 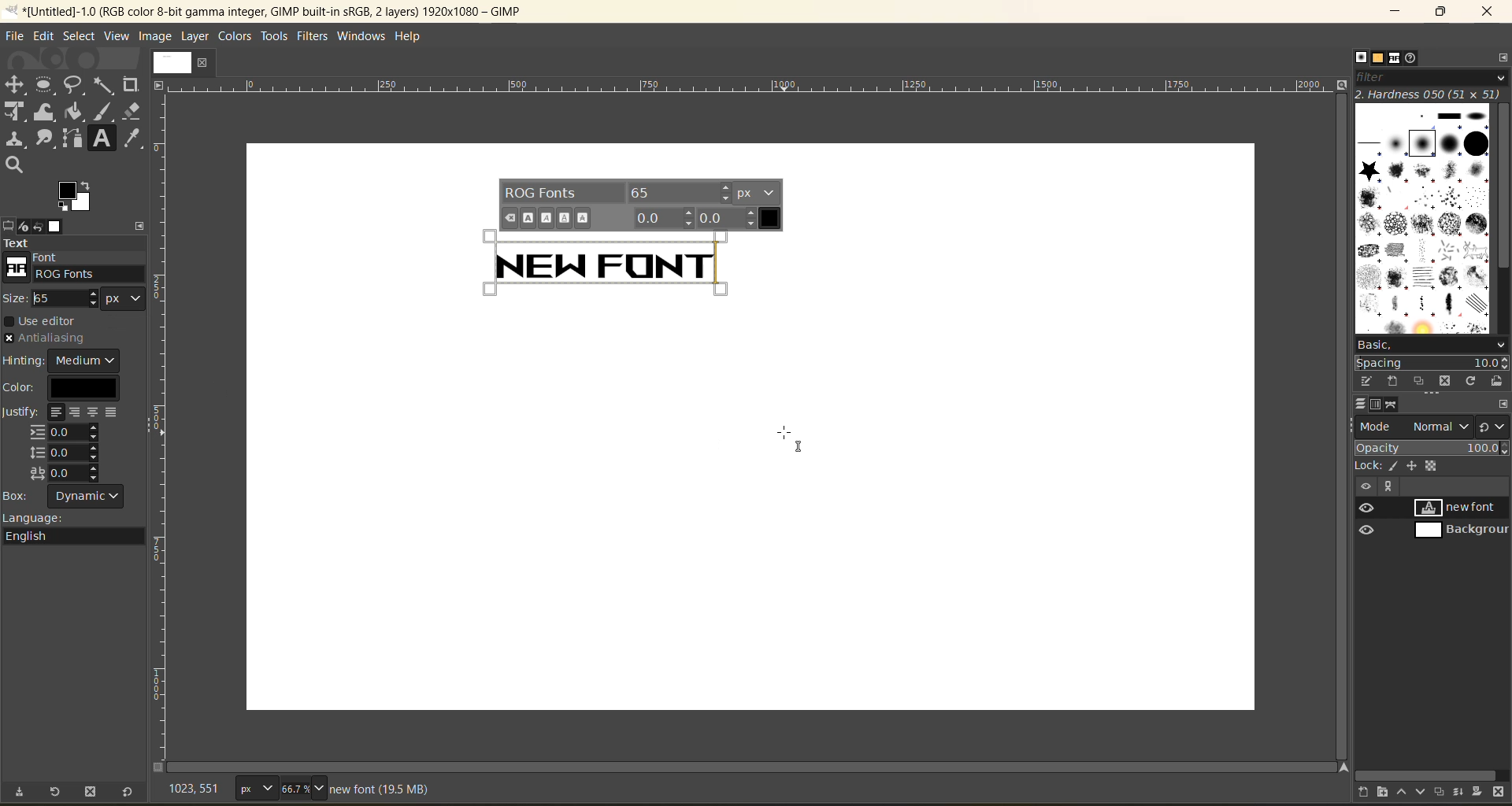 What do you see at coordinates (1370, 793) in the screenshot?
I see `create a new layer` at bounding box center [1370, 793].